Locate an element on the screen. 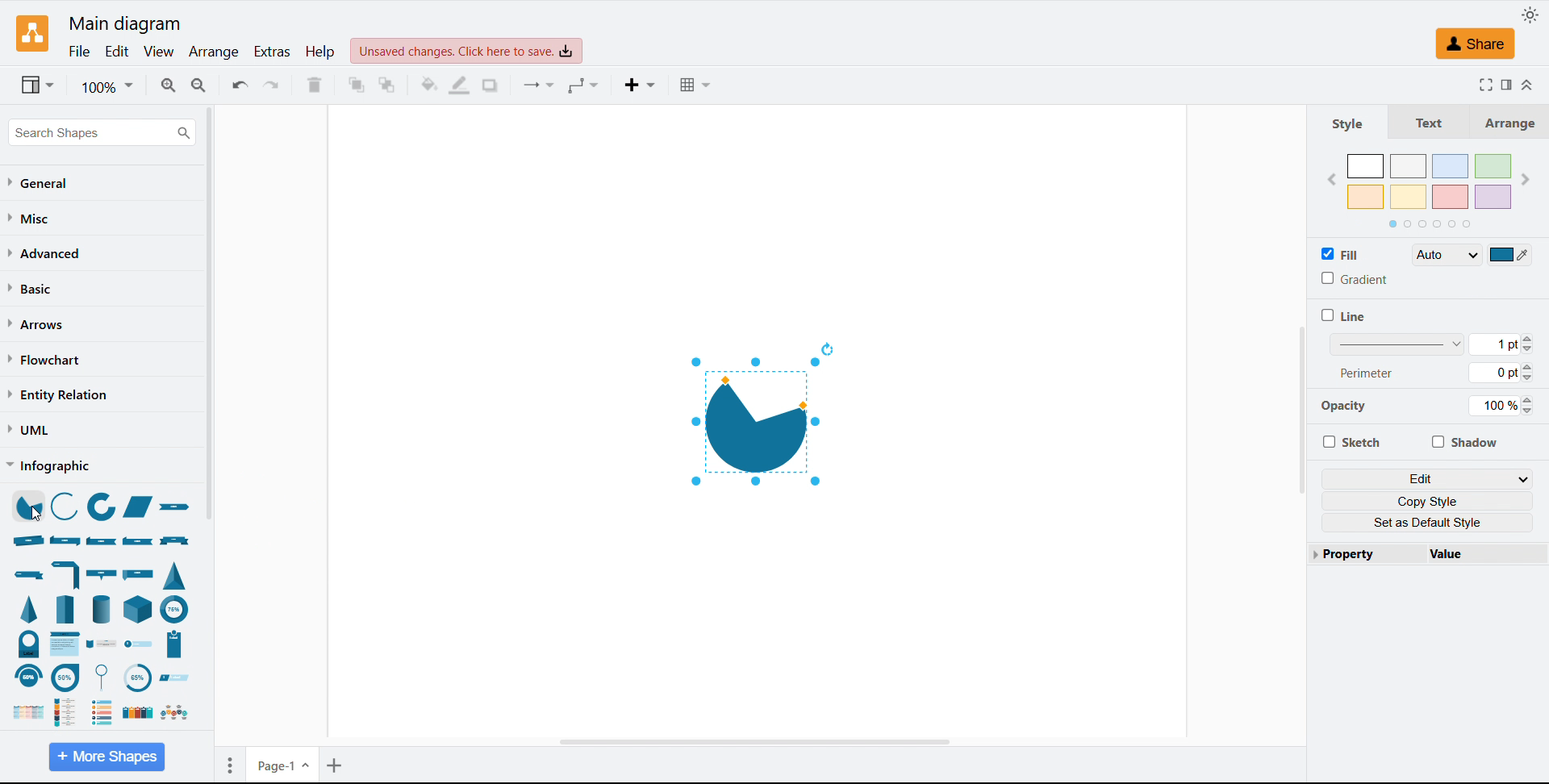  0 pt is located at coordinates (1505, 372).